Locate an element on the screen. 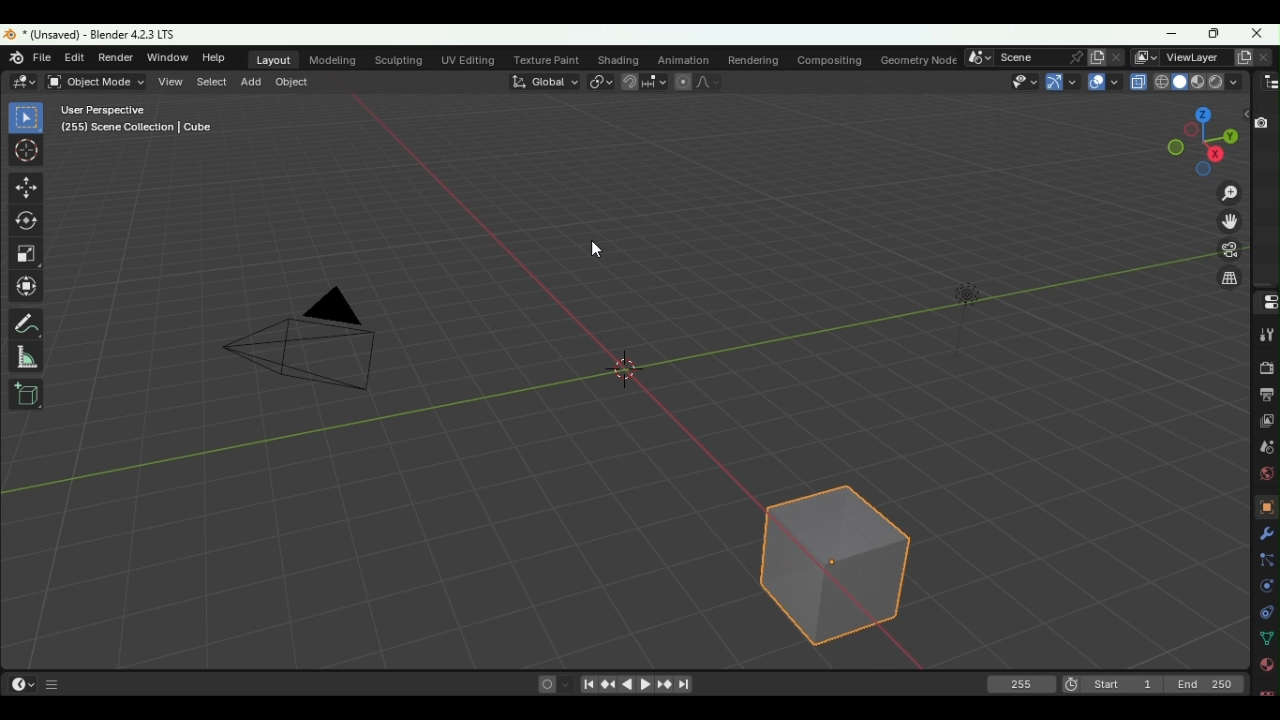 The height and width of the screenshot is (720, 1280). Rotate the view is located at coordinates (1191, 130).